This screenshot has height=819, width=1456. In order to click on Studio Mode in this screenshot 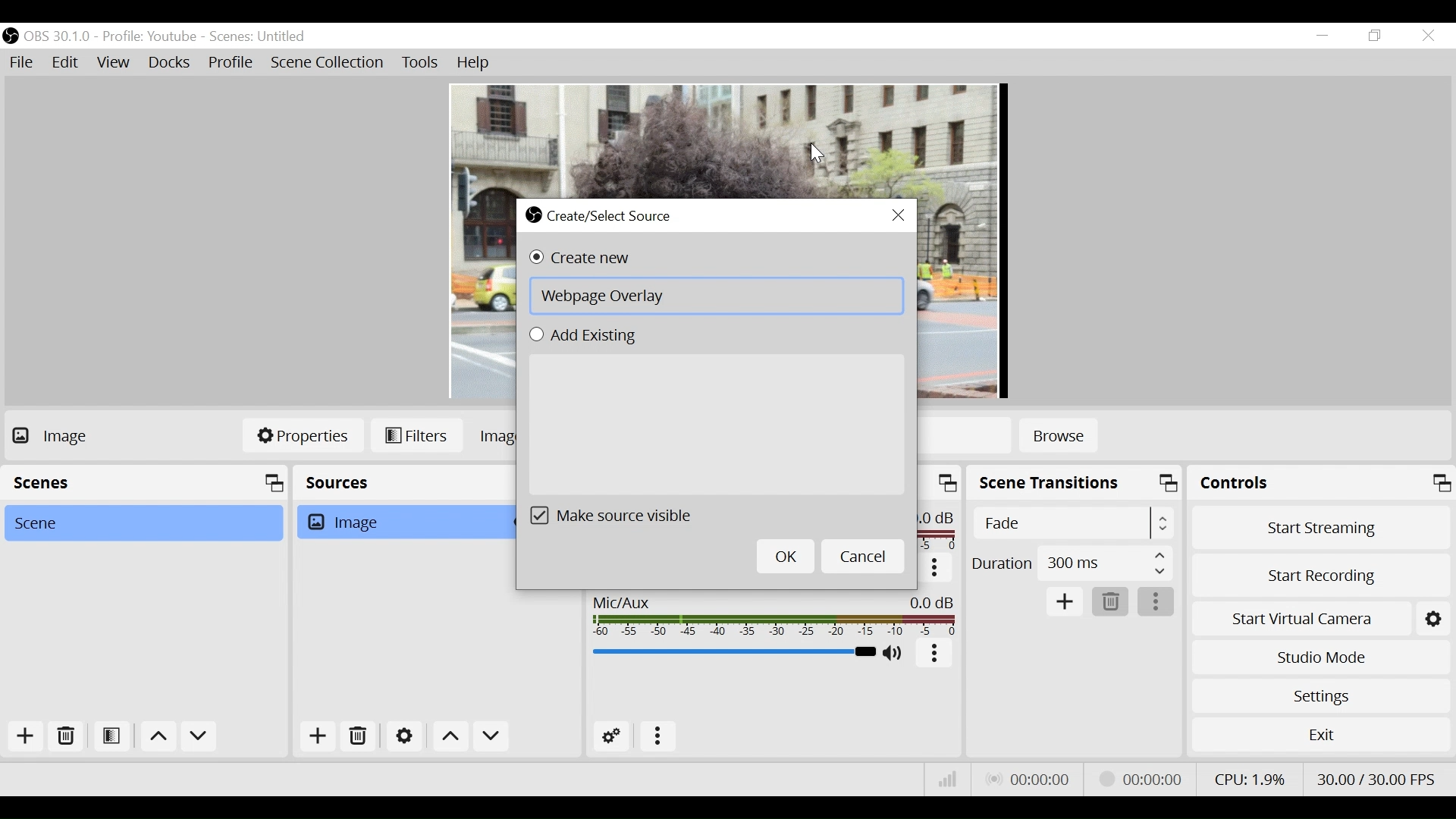, I will do `click(1321, 657)`.